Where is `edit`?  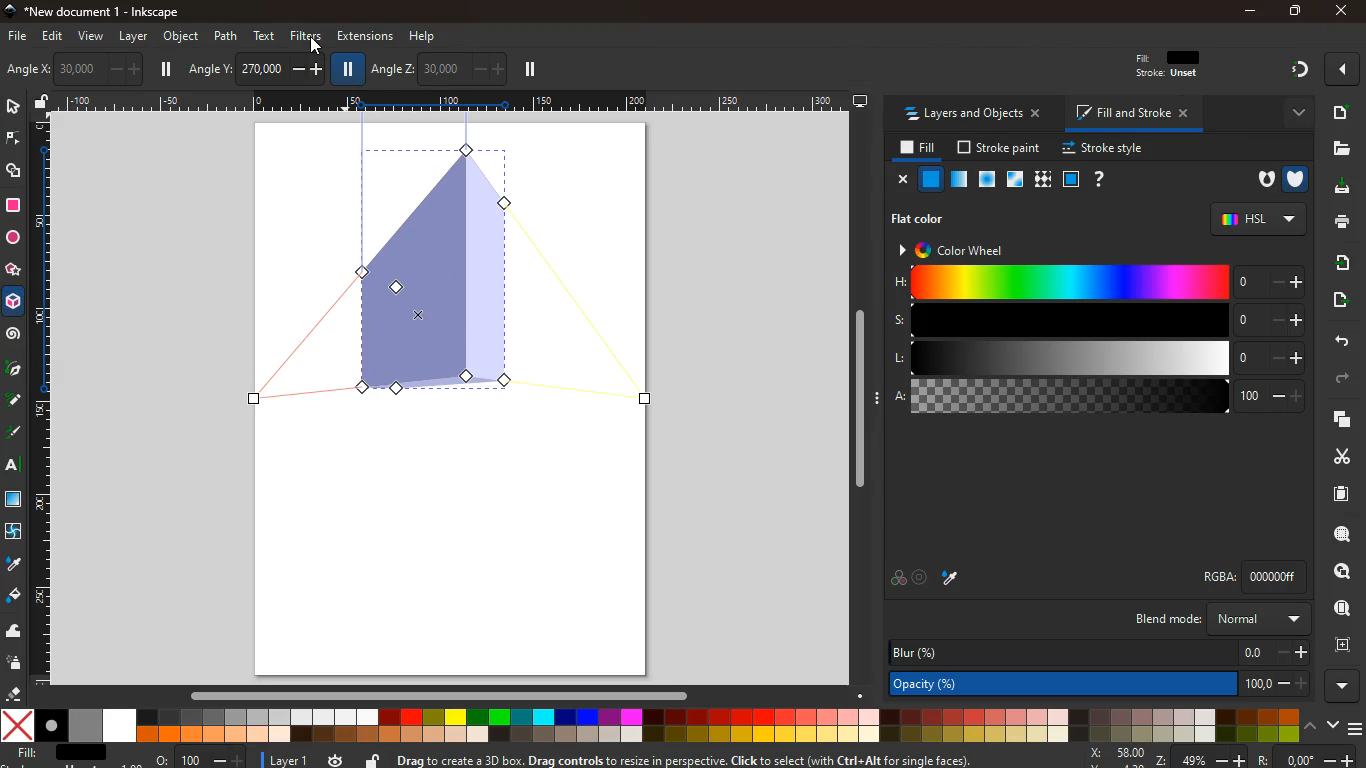
edit is located at coordinates (57, 38).